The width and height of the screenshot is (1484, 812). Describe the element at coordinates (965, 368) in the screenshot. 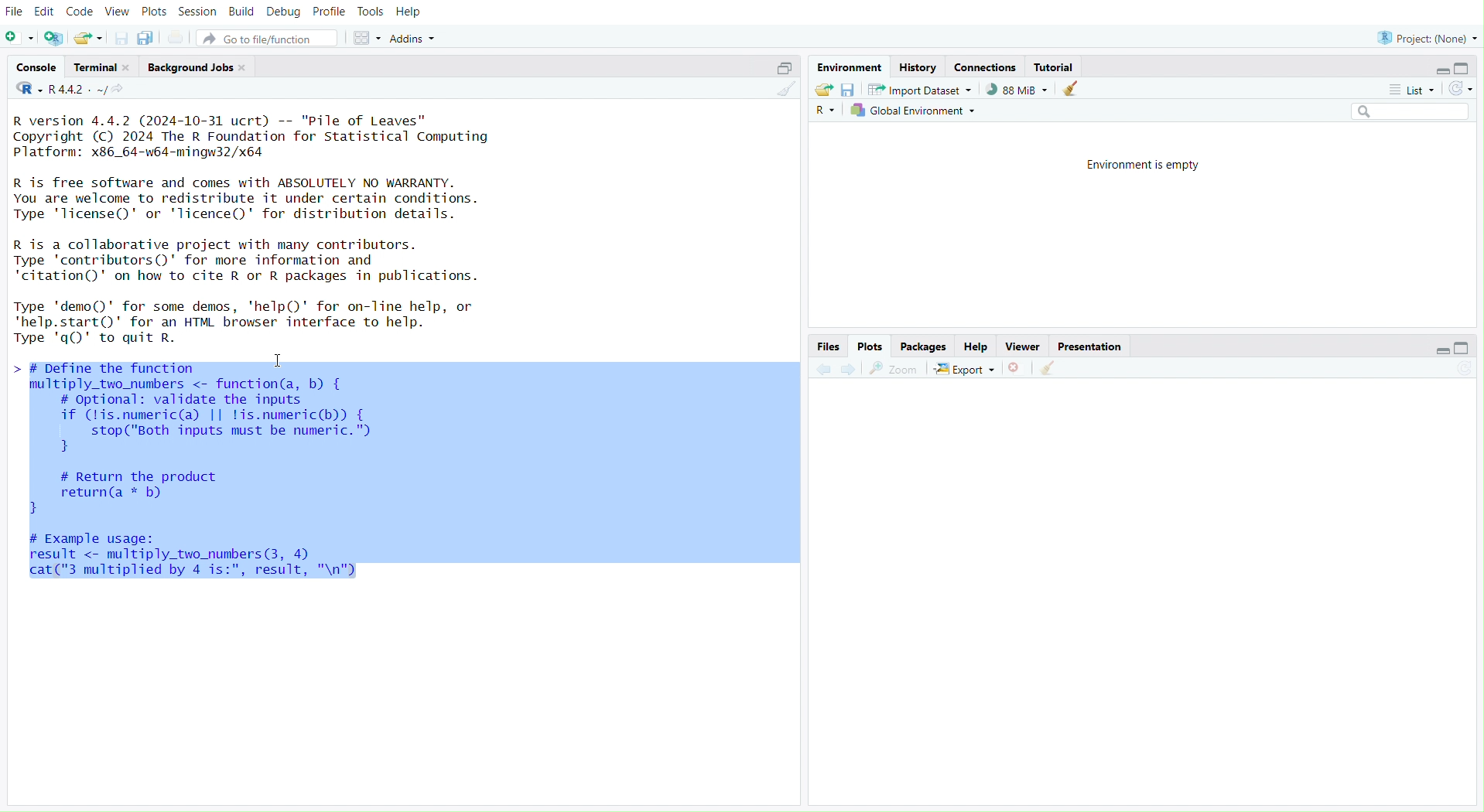

I see `Export` at that location.